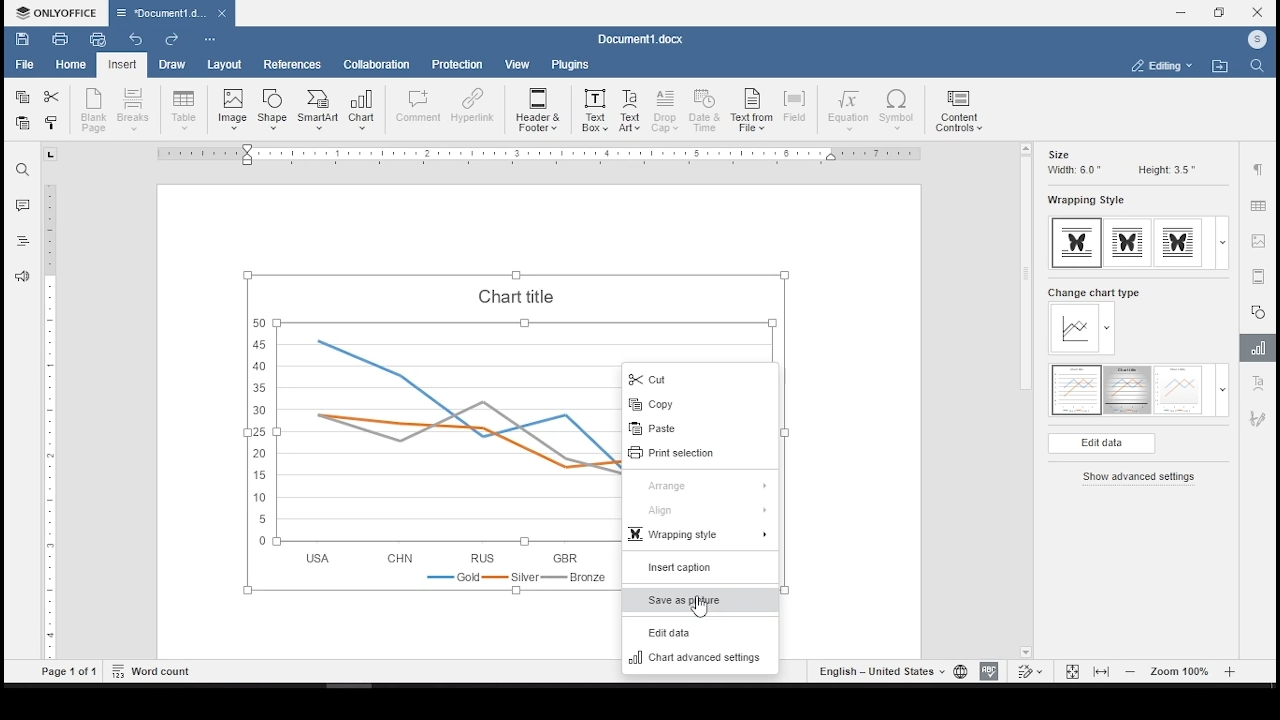 The height and width of the screenshot is (720, 1280). I want to click on track changes, so click(1030, 672).